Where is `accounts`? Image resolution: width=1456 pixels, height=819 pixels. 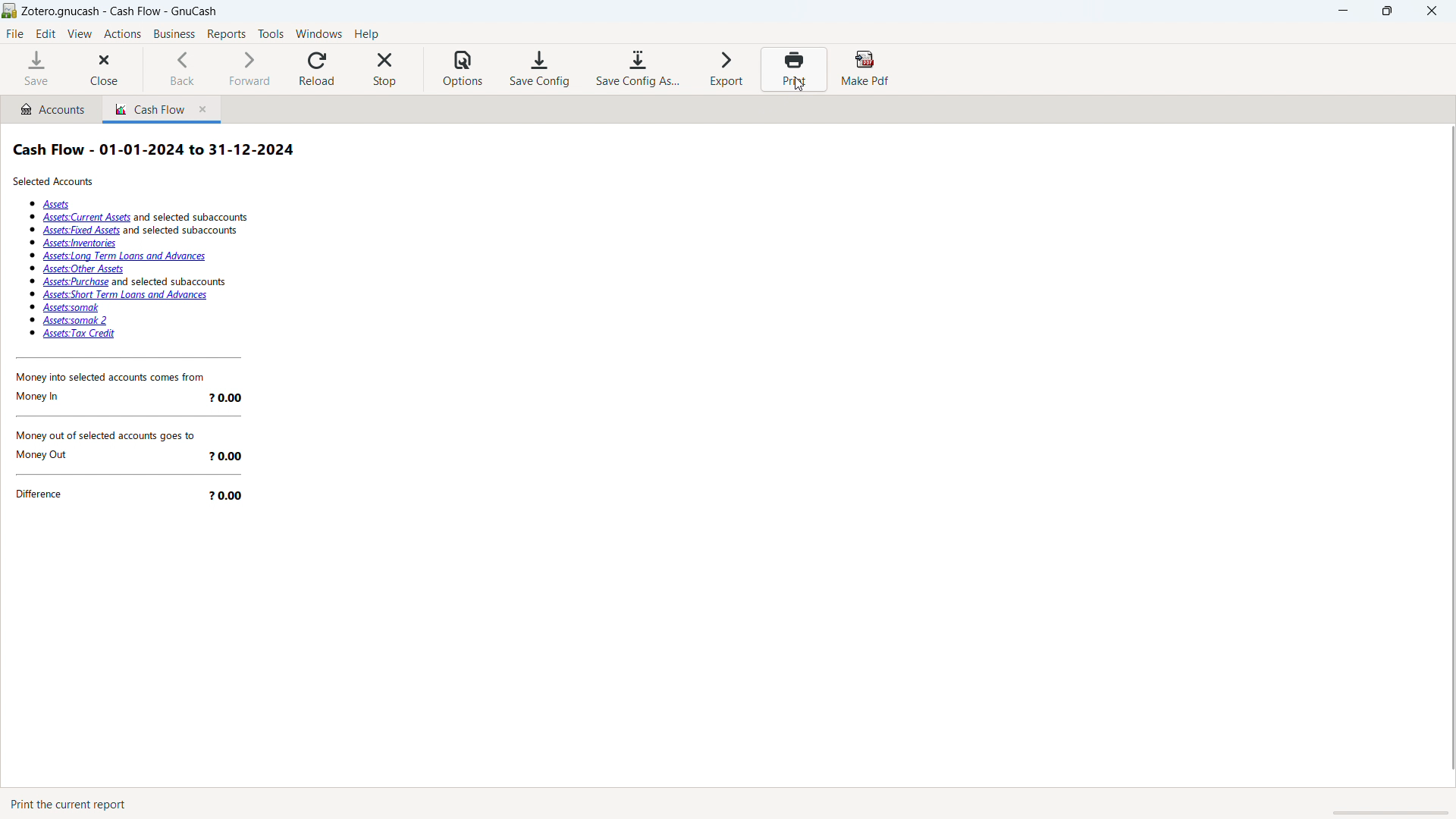
accounts is located at coordinates (49, 108).